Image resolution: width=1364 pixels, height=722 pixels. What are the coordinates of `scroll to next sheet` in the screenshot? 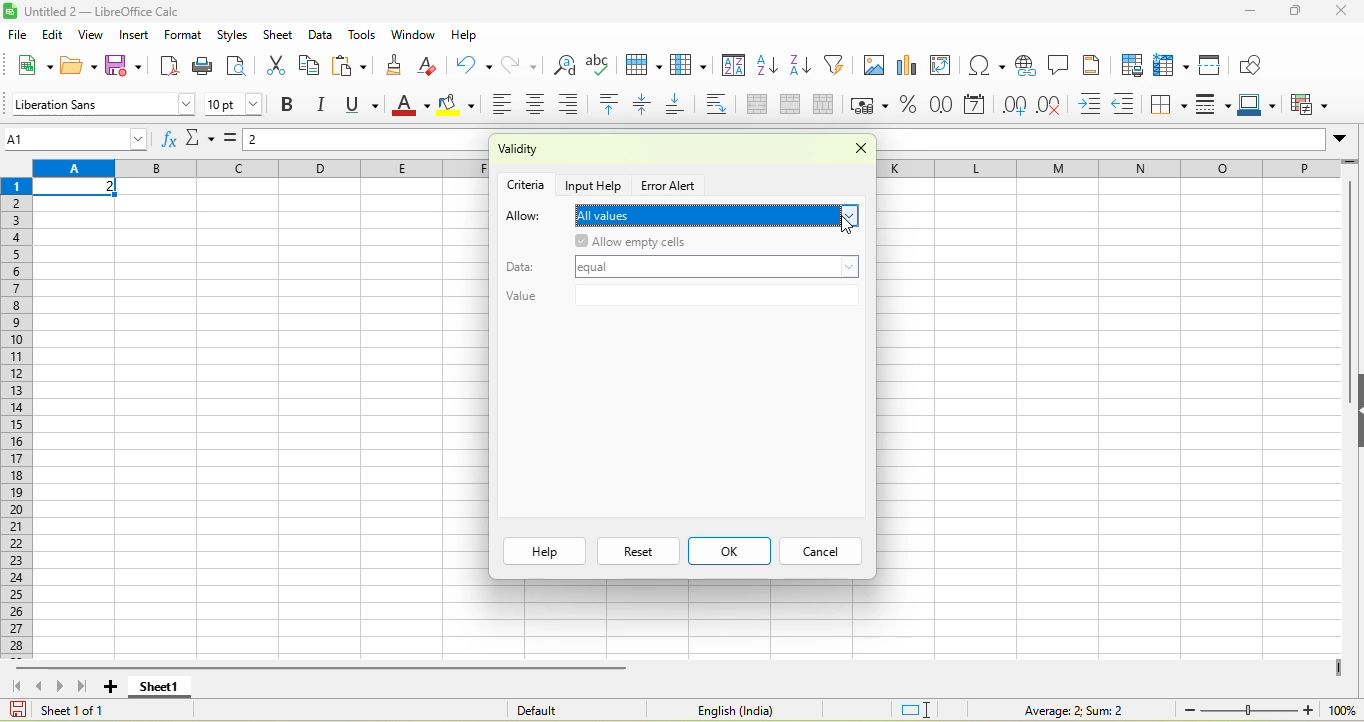 It's located at (63, 687).